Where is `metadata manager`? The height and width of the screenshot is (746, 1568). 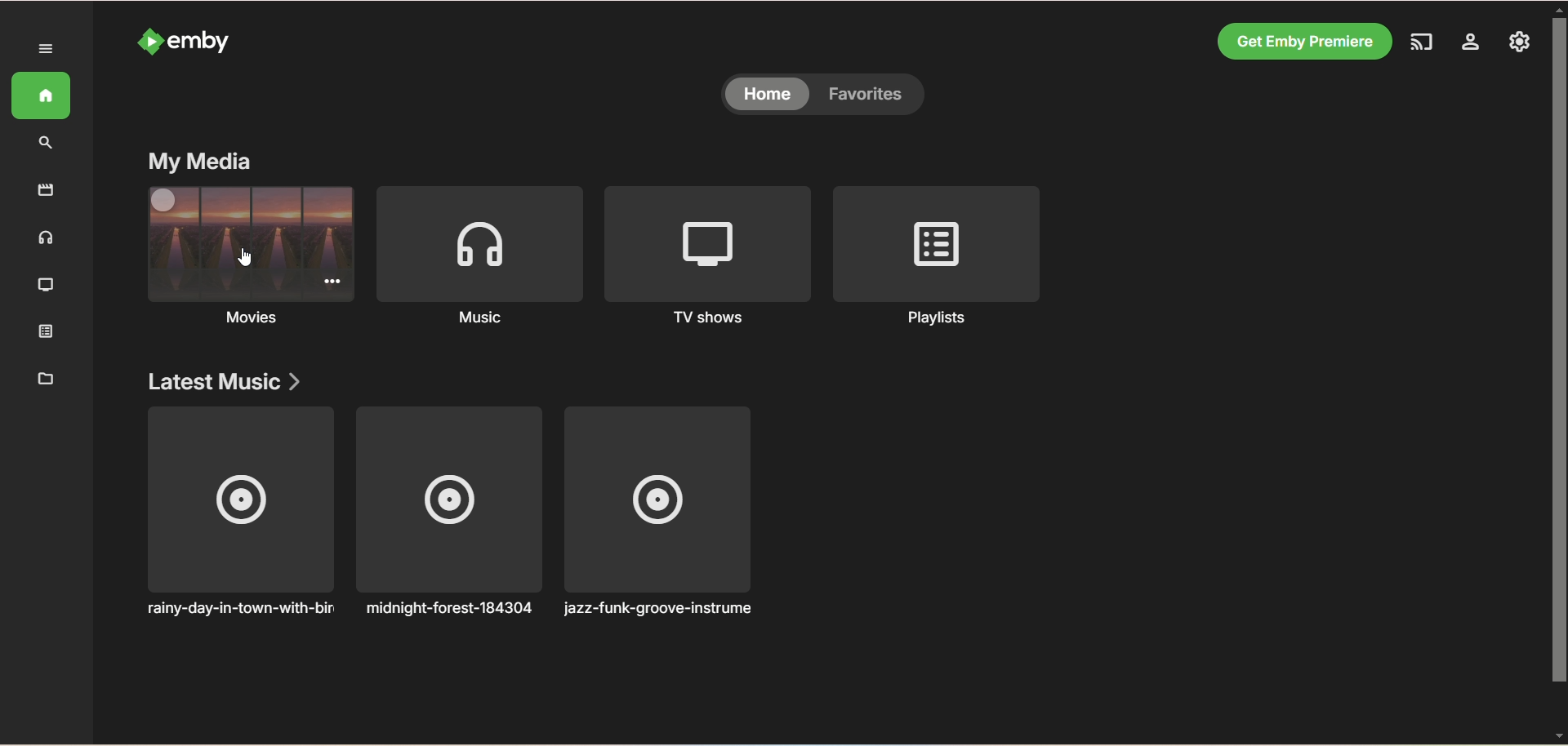 metadata manager is located at coordinates (42, 379).